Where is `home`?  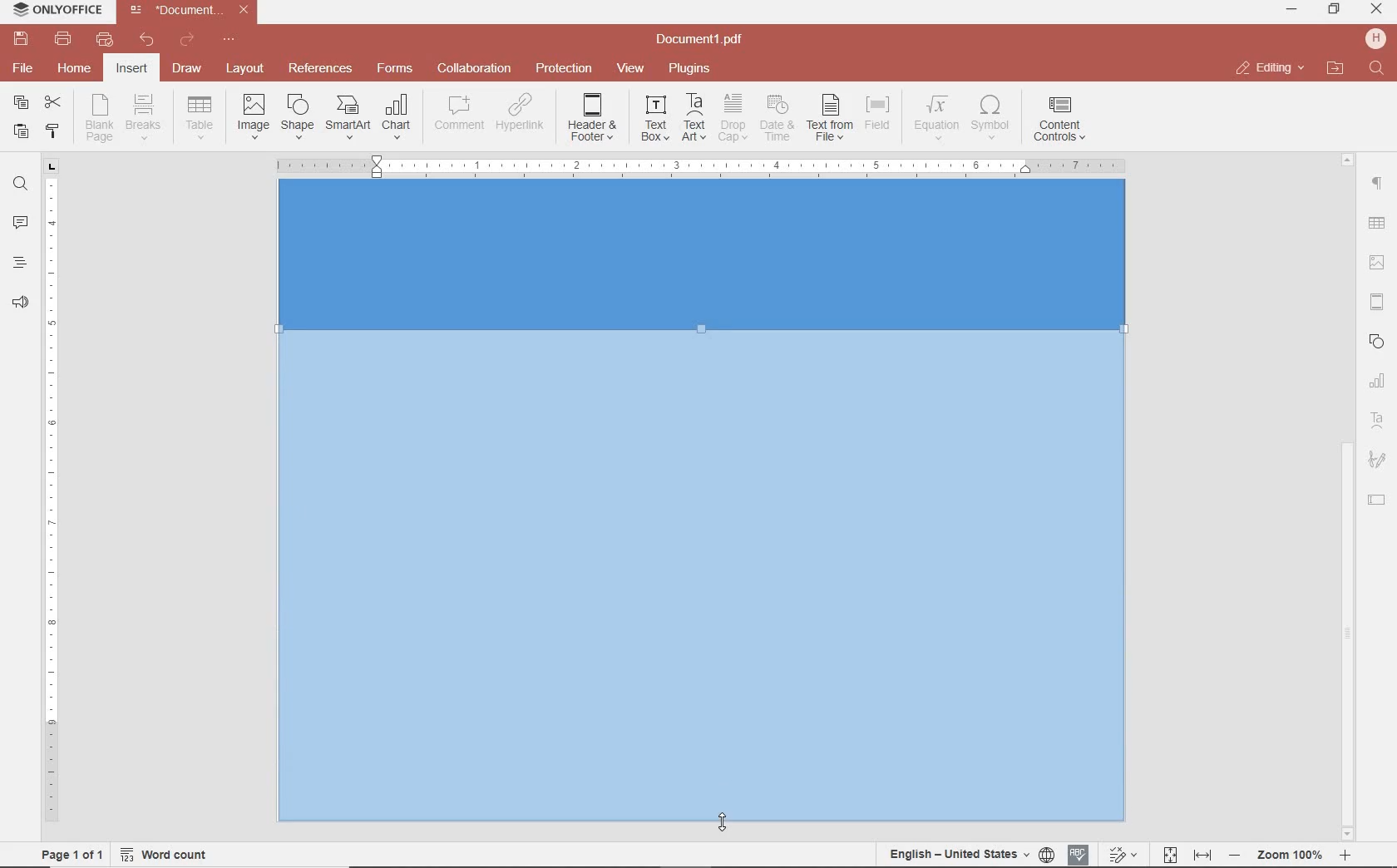
home is located at coordinates (72, 67).